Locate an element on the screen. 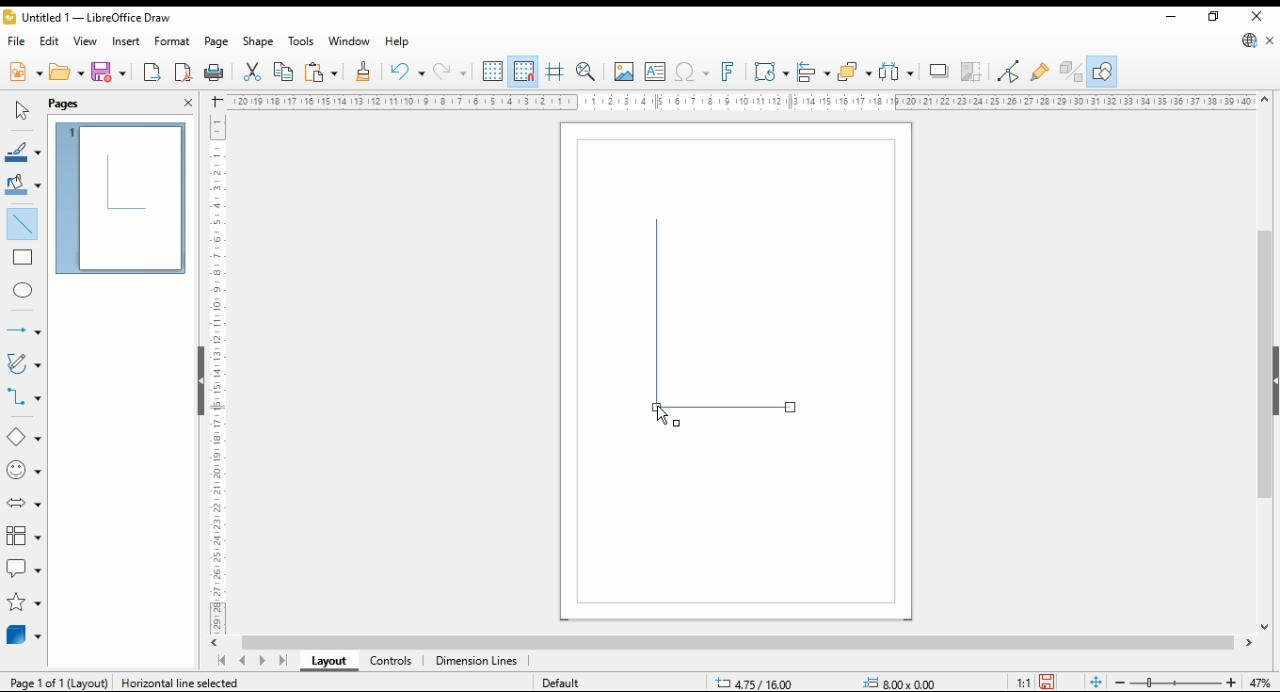 Image resolution: width=1280 pixels, height=692 pixels. new is located at coordinates (24, 72).